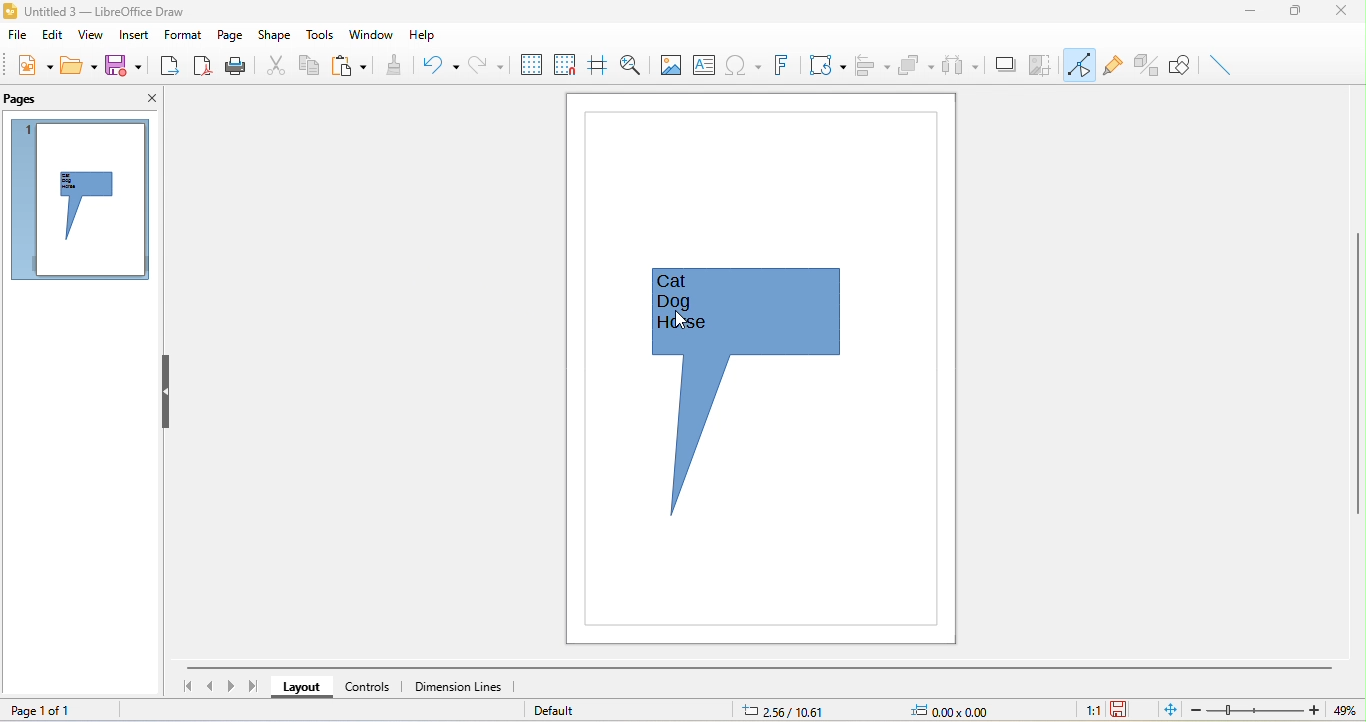 The height and width of the screenshot is (722, 1366). Describe the element at coordinates (527, 64) in the screenshot. I see `display to grids` at that location.